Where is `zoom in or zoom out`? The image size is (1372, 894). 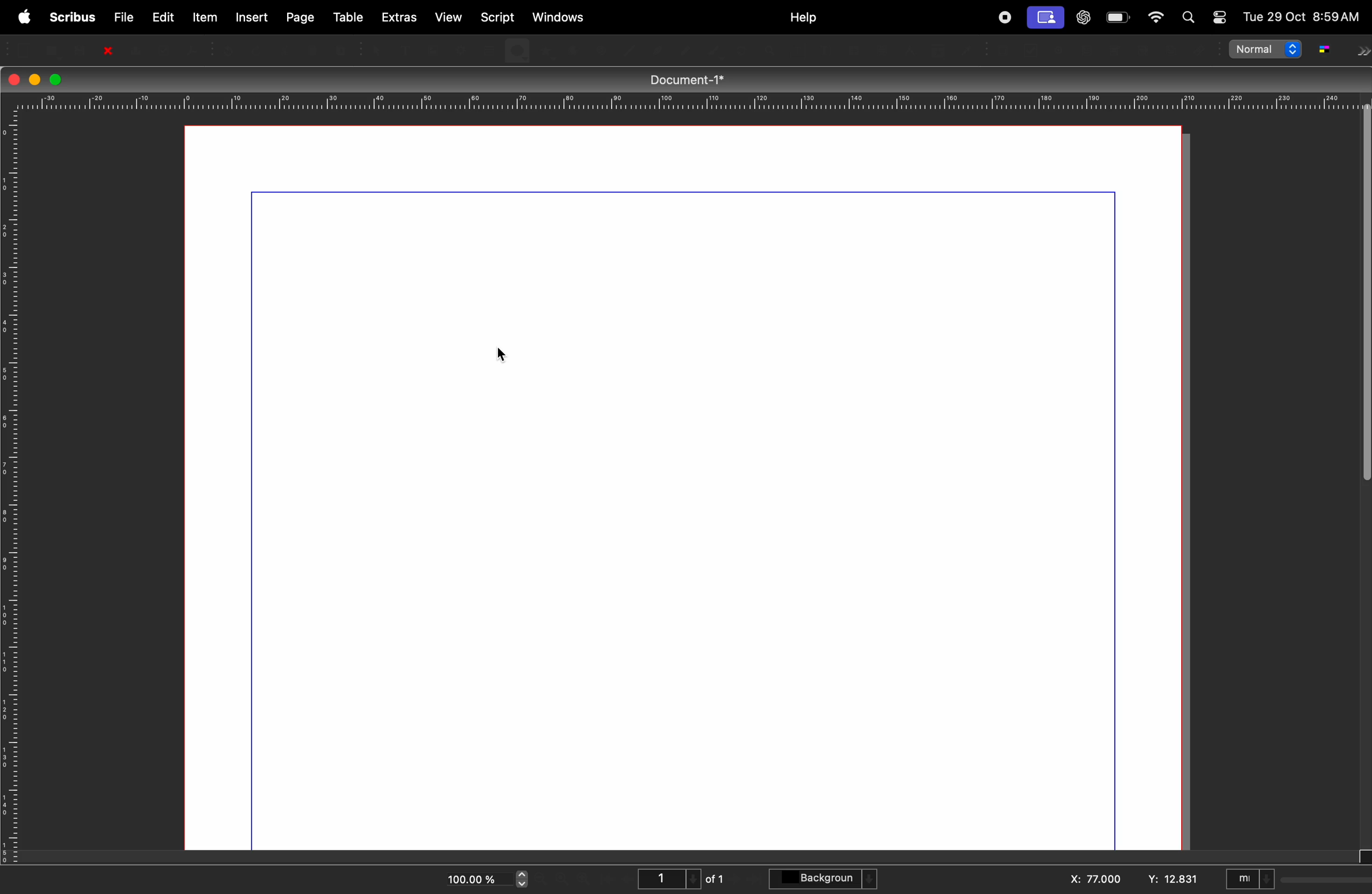 zoom in or zoom out is located at coordinates (771, 51).